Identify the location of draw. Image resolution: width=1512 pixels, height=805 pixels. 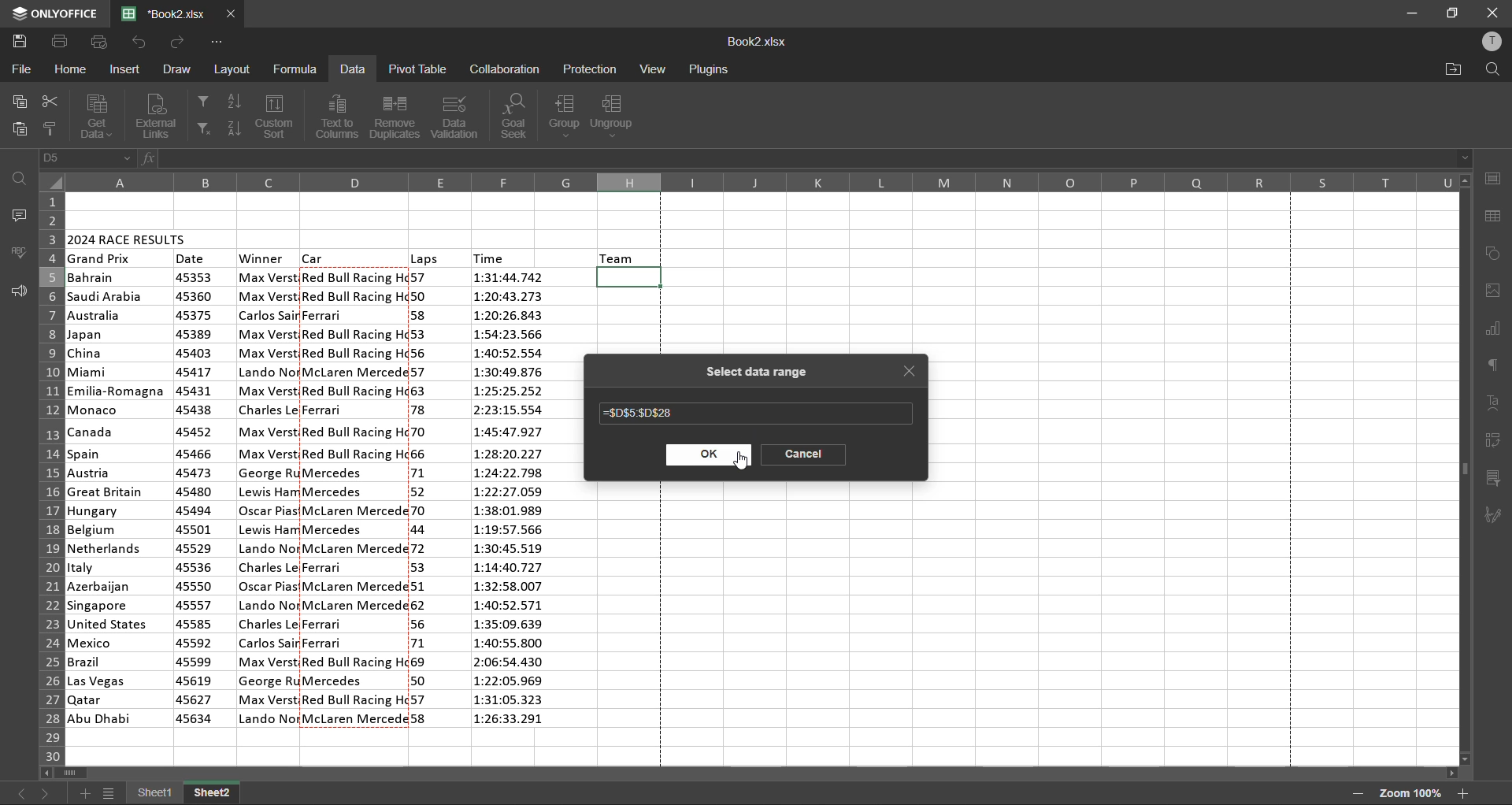
(178, 67).